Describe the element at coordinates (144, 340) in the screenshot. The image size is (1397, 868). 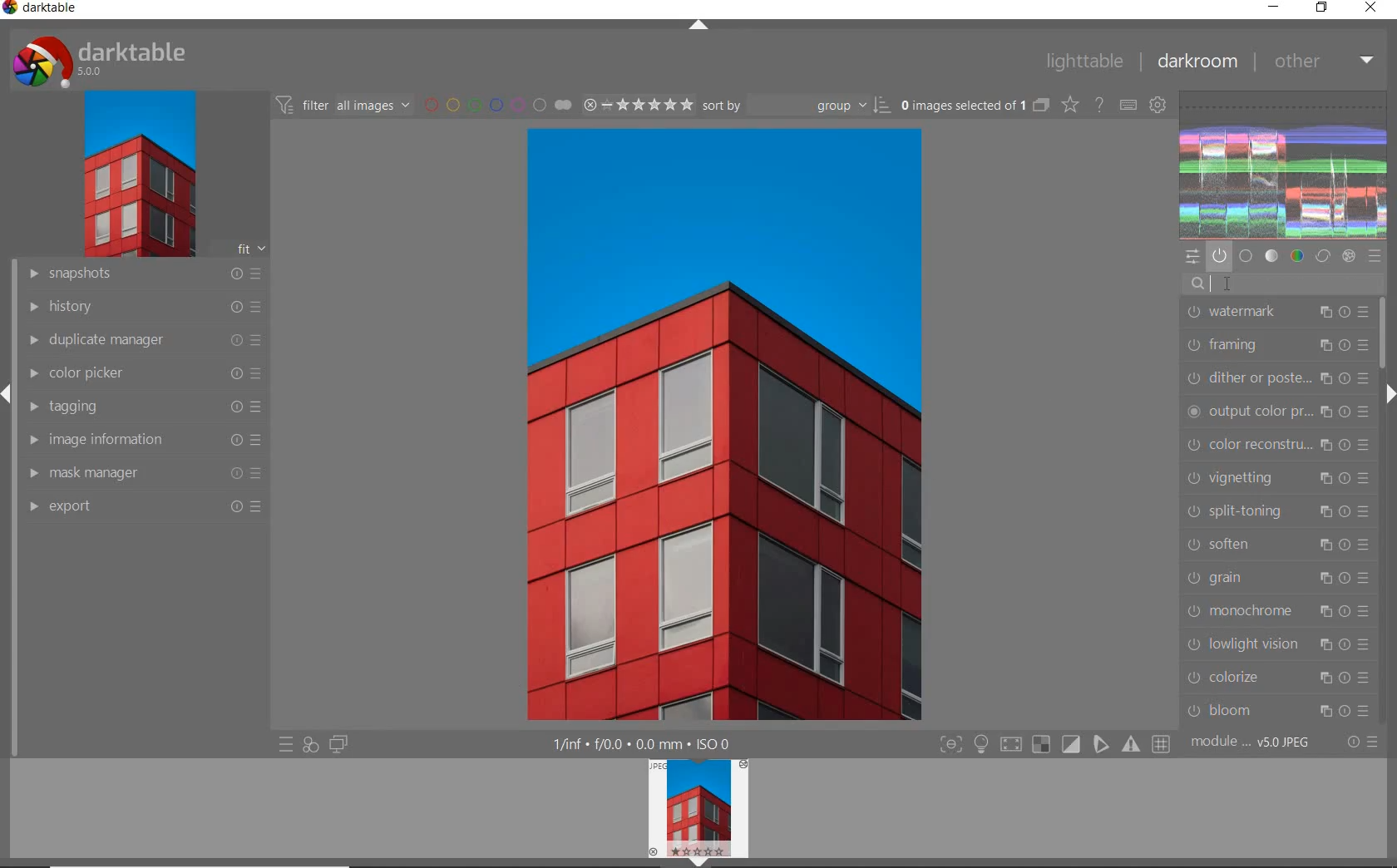
I see `duplicate manager` at that location.